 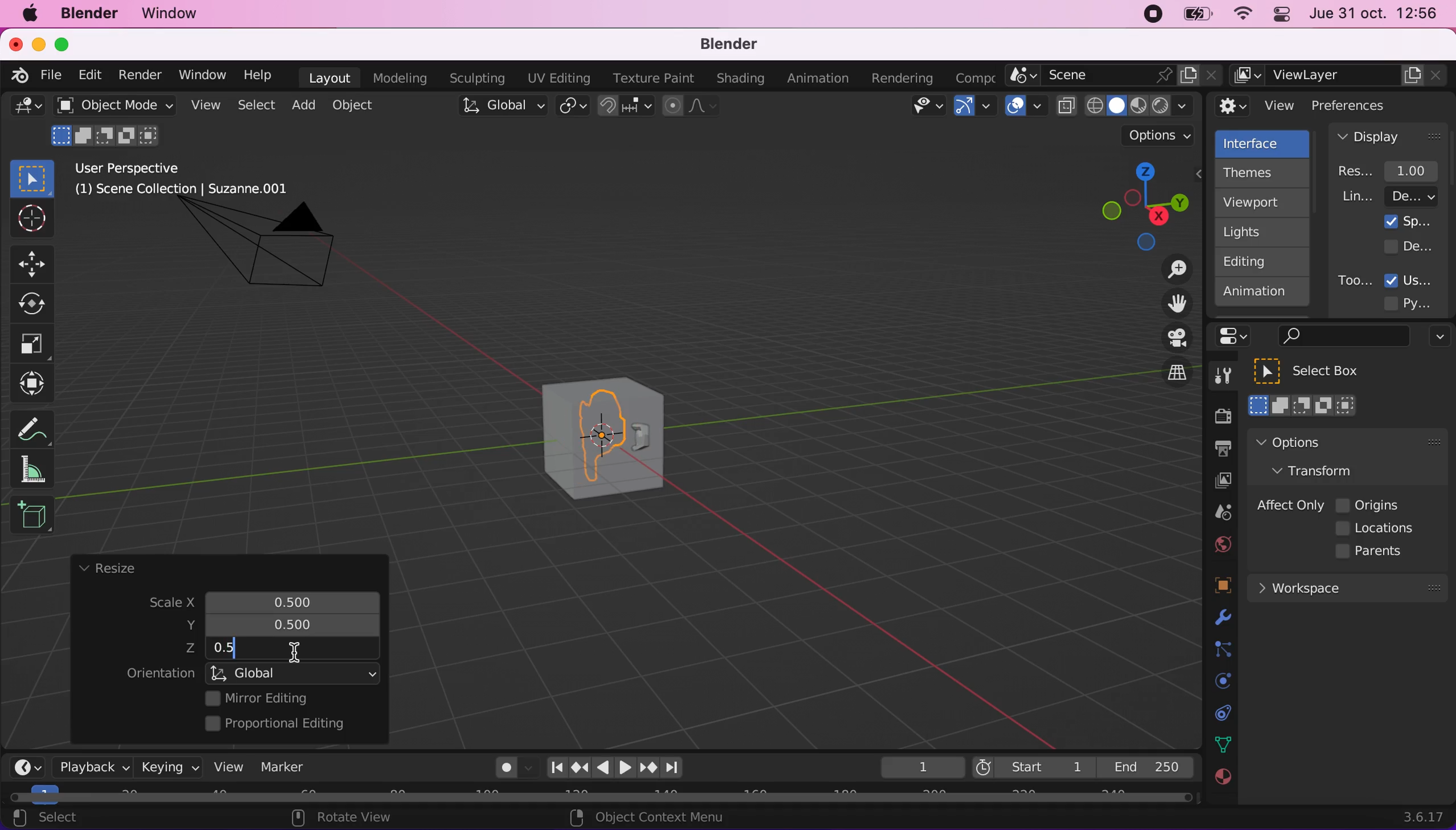 I want to click on recording stopped, so click(x=1148, y=16).